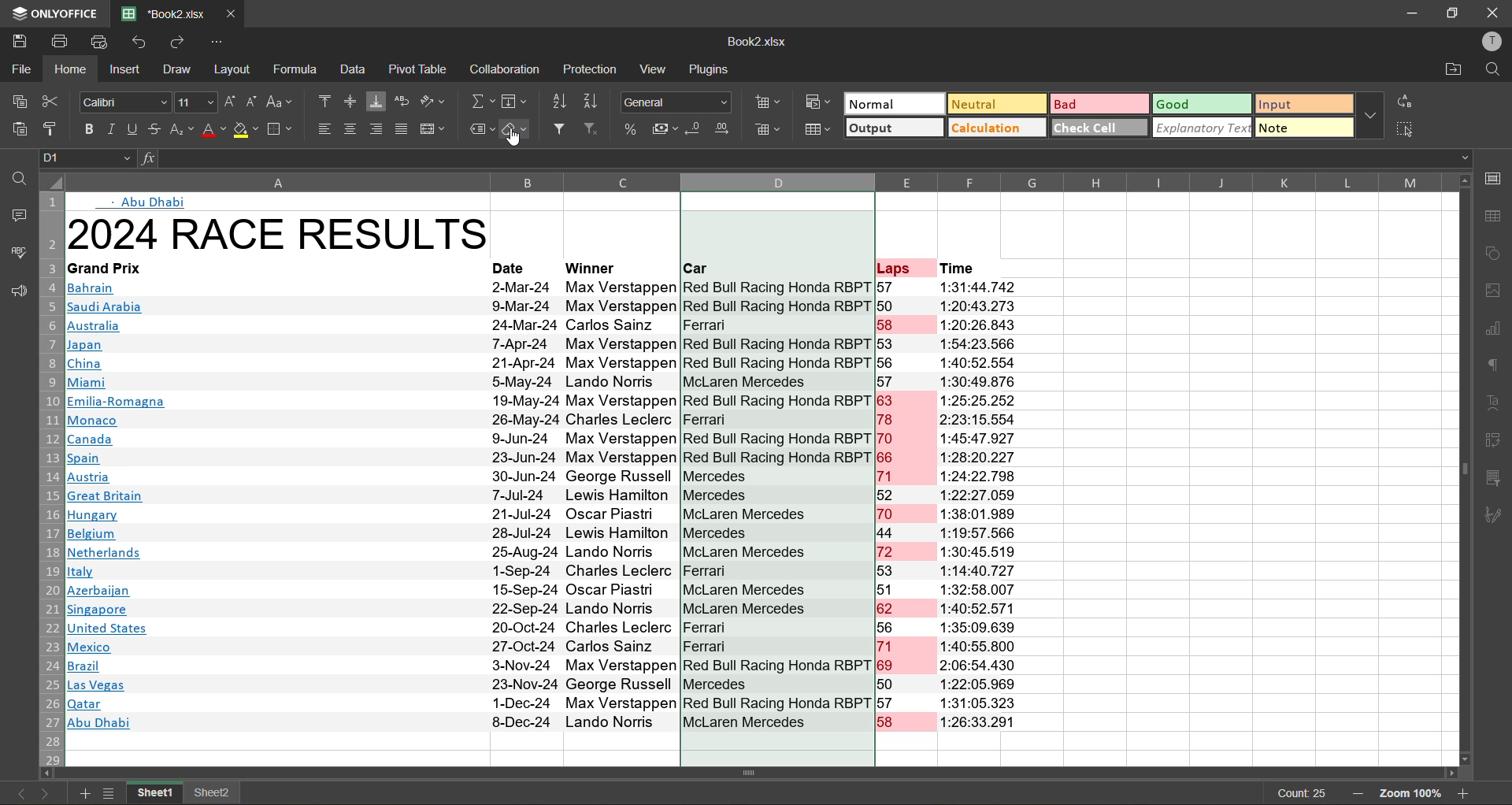  I want to click on calculation, so click(997, 129).